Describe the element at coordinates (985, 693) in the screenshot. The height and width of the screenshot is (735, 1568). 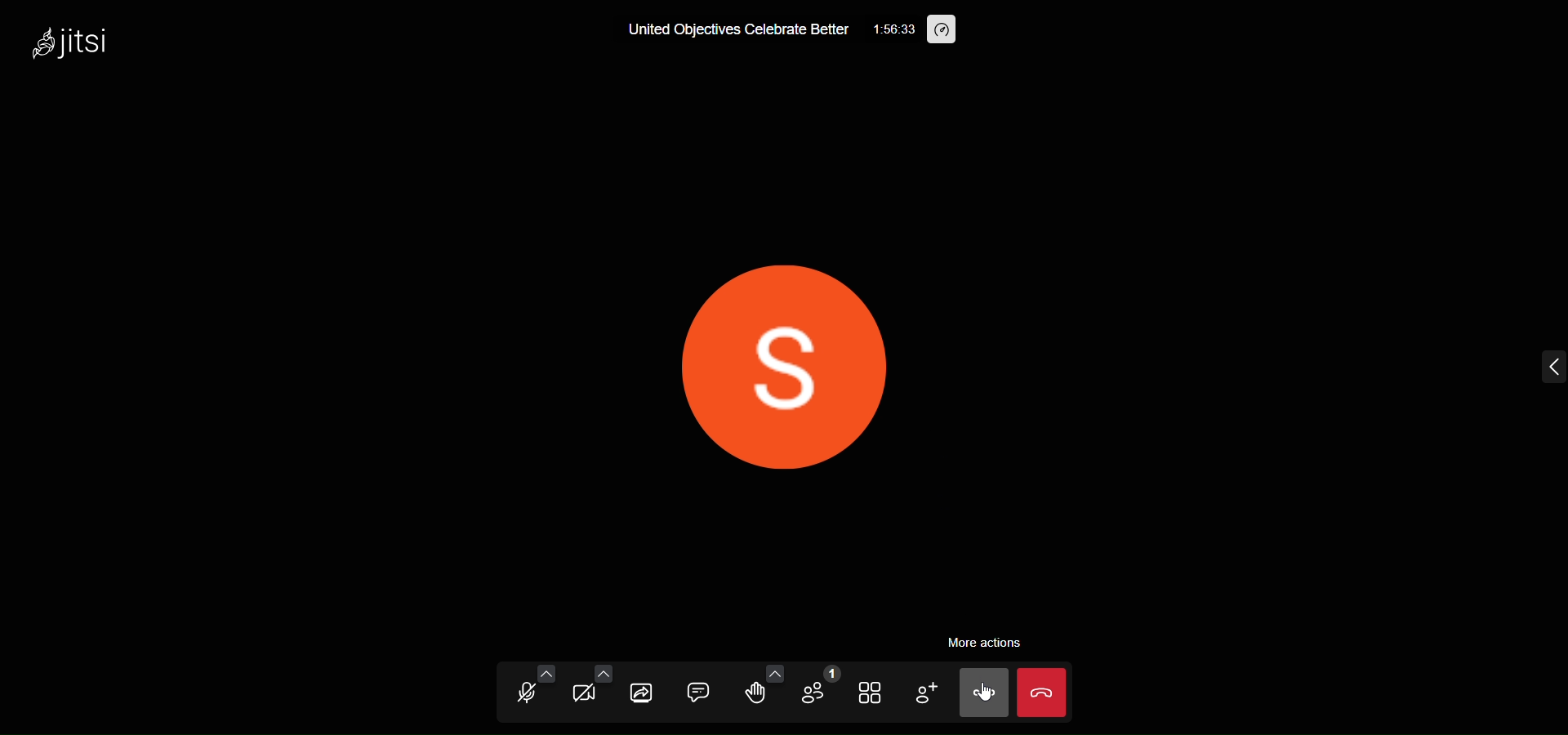
I see `more` at that location.